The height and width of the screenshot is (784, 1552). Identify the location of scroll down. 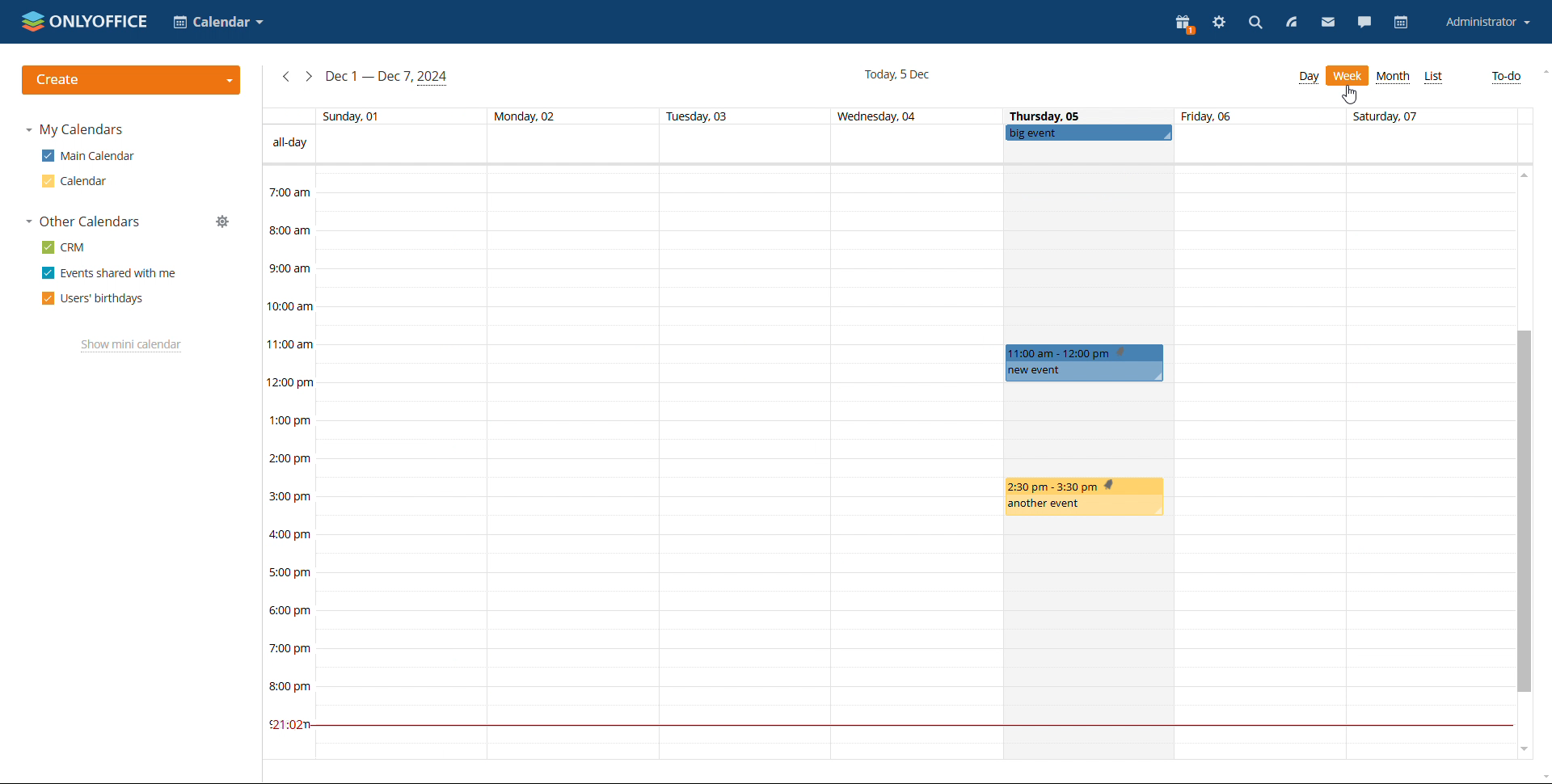
(1525, 750).